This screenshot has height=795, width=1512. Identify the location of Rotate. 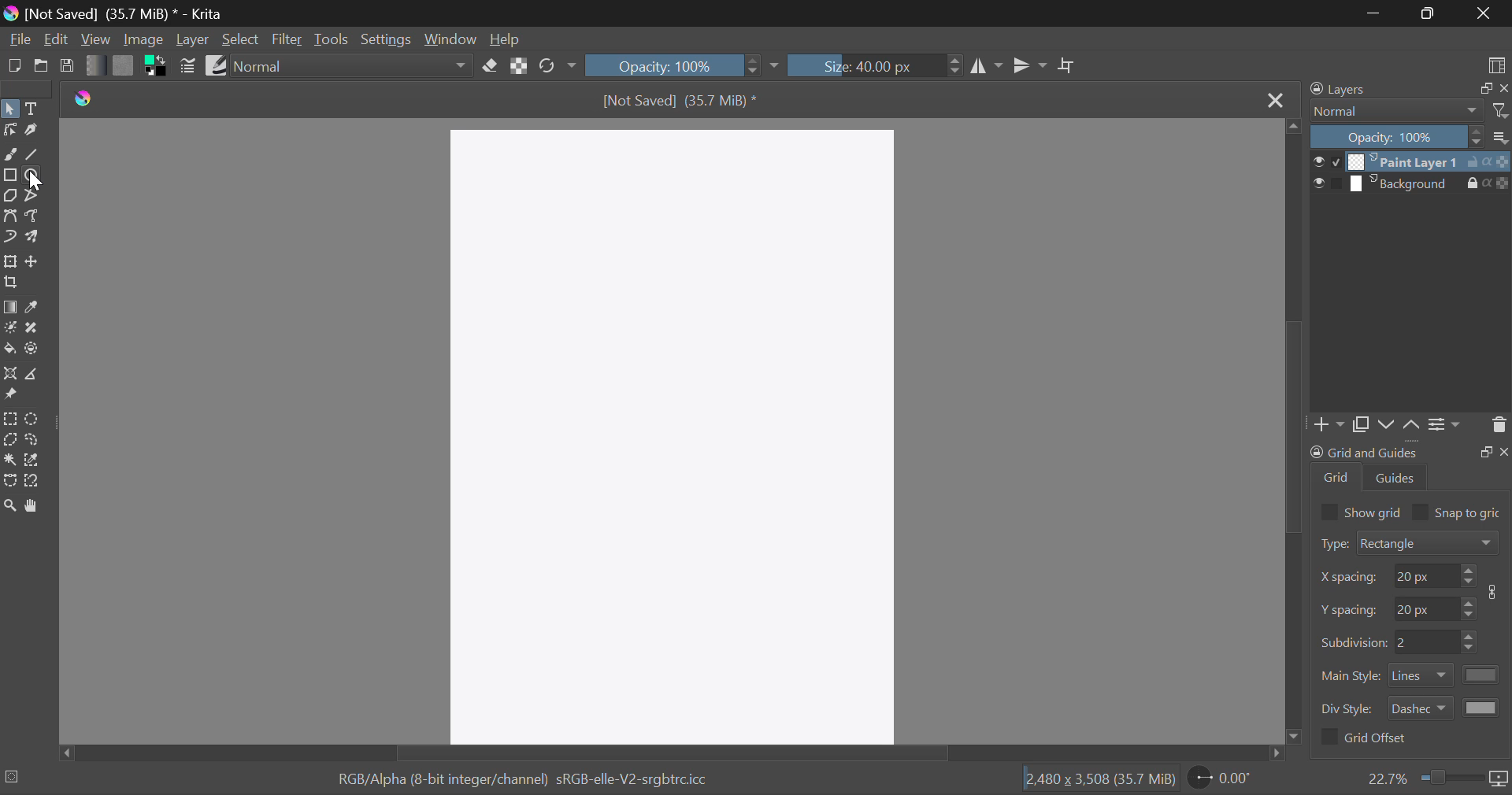
(558, 66).